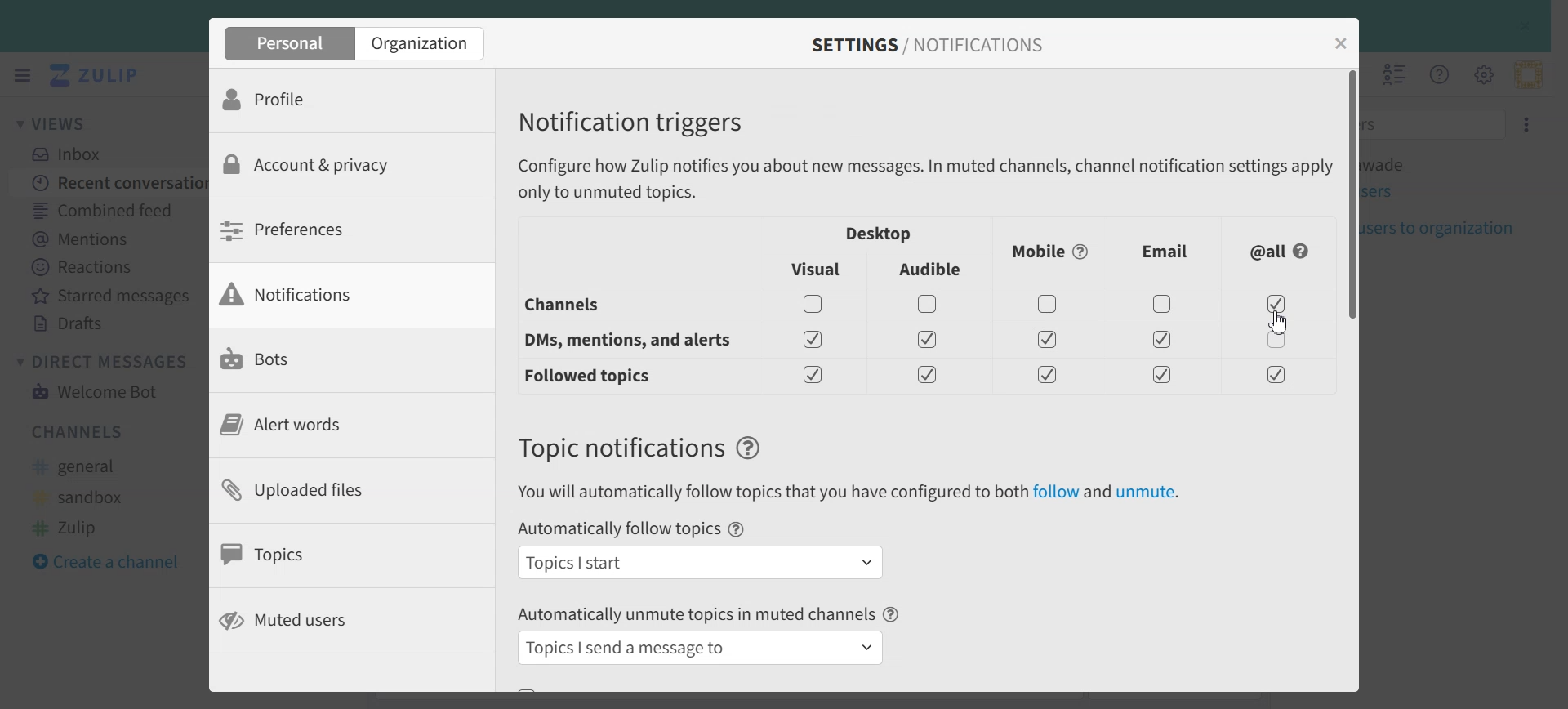  Describe the element at coordinates (329, 425) in the screenshot. I see `Alert words ` at that location.